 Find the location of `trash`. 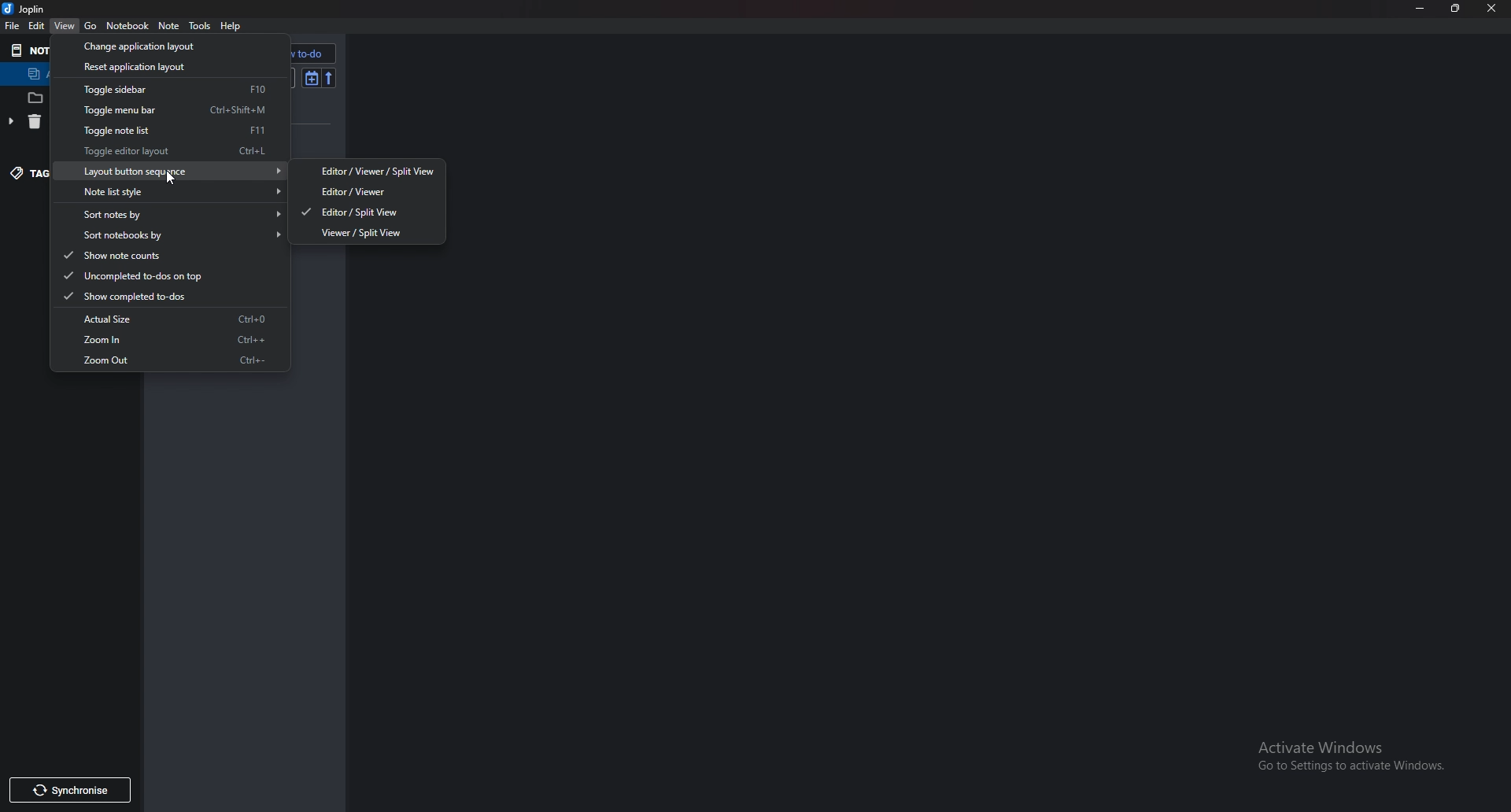

trash is located at coordinates (23, 124).